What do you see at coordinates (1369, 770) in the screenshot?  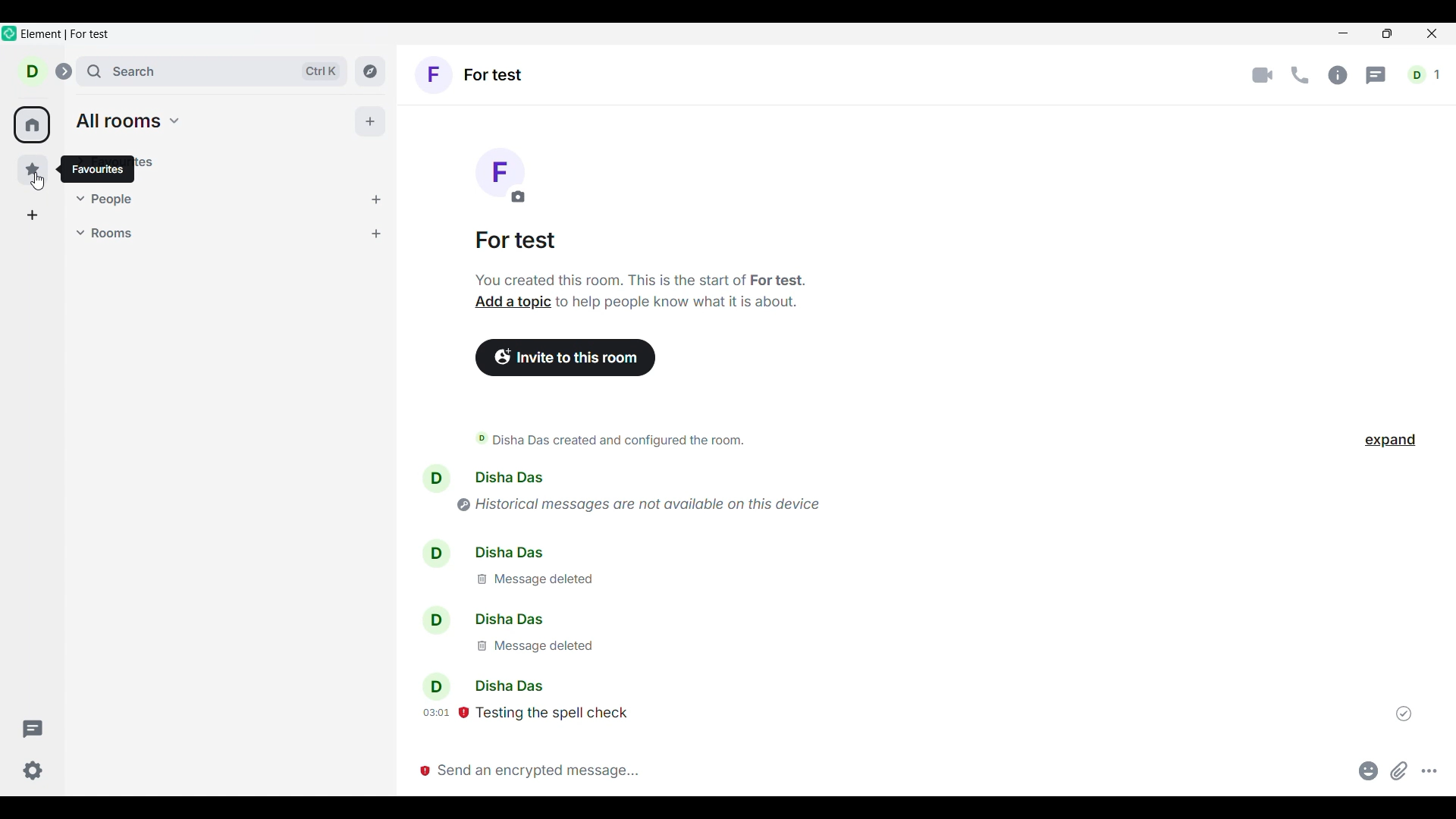 I see `Add emoji` at bounding box center [1369, 770].